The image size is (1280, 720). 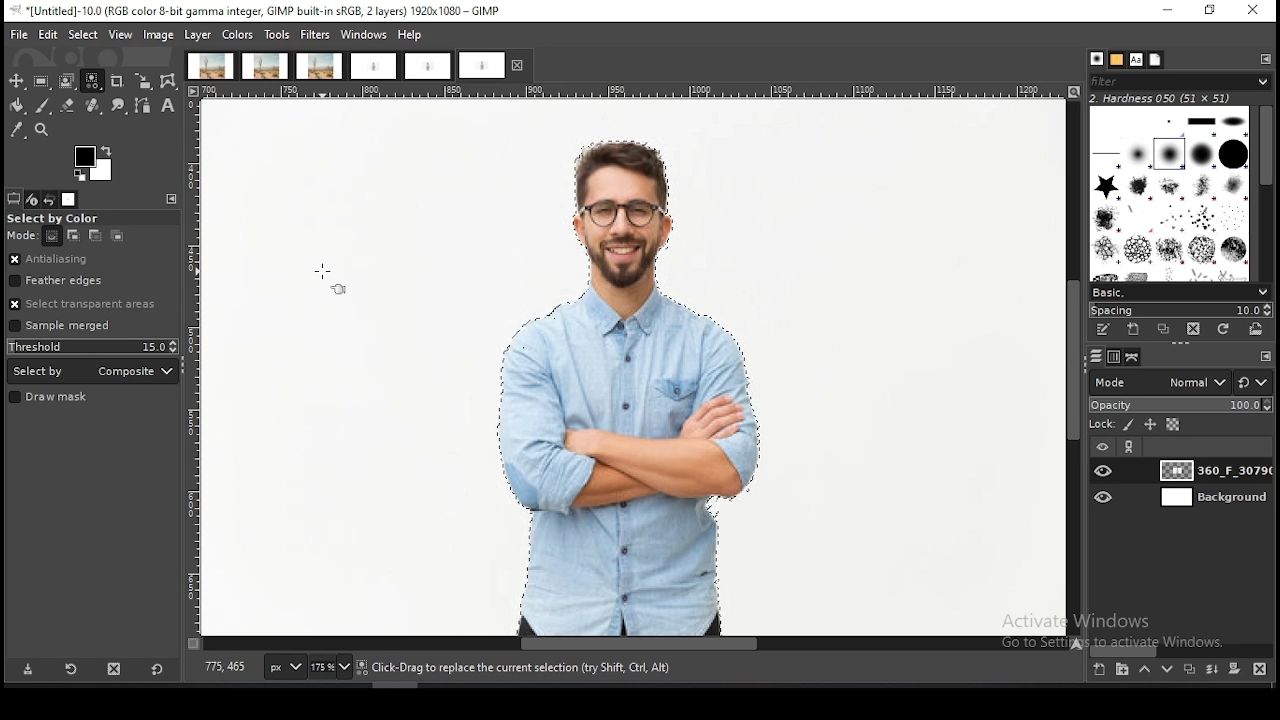 I want to click on layers, so click(x=1096, y=357).